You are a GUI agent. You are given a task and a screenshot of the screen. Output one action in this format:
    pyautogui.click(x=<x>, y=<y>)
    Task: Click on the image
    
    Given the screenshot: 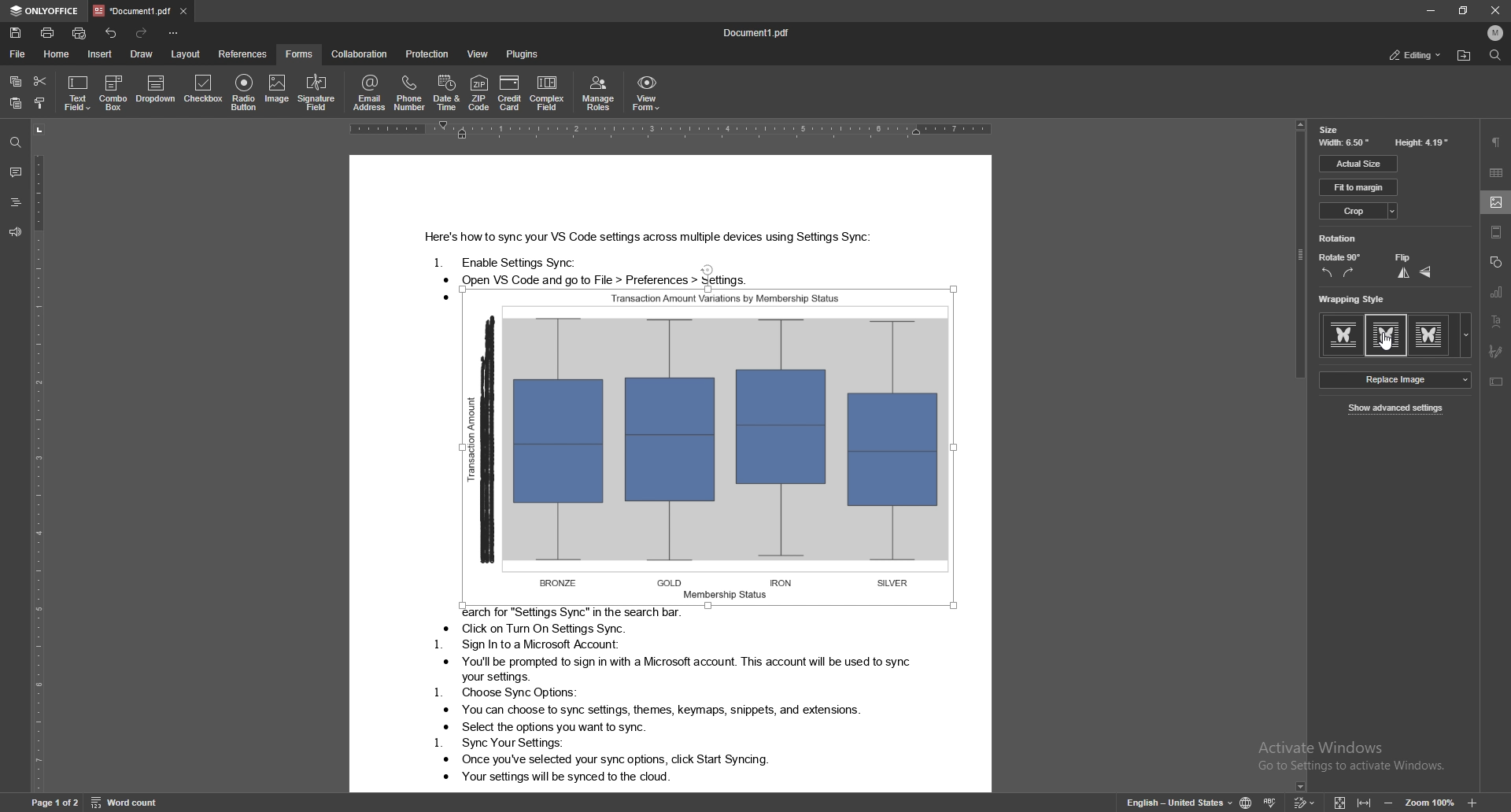 What is the action you would take?
    pyautogui.click(x=1496, y=201)
    